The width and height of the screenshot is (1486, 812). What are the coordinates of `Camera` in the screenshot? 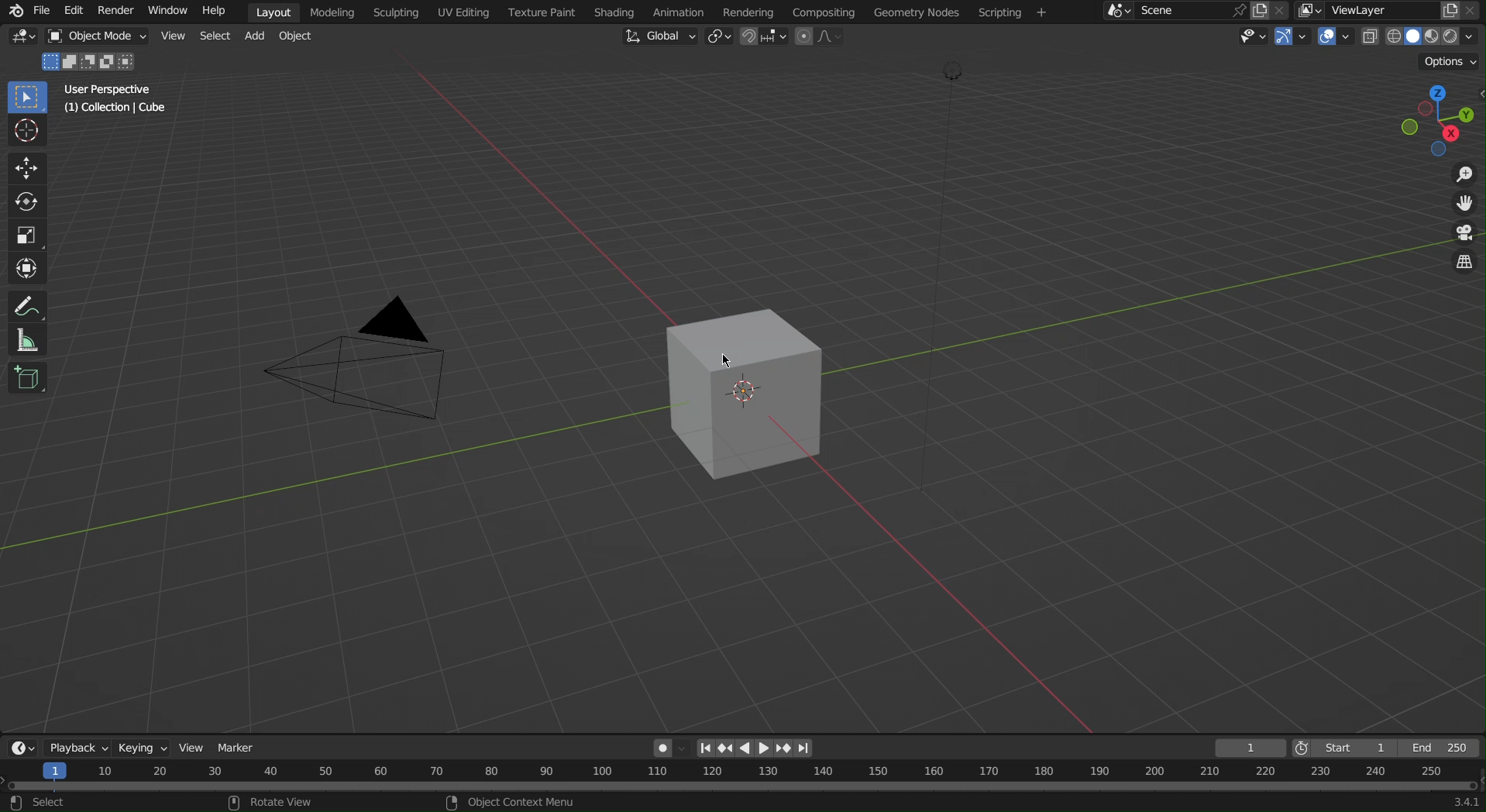 It's located at (391, 367).